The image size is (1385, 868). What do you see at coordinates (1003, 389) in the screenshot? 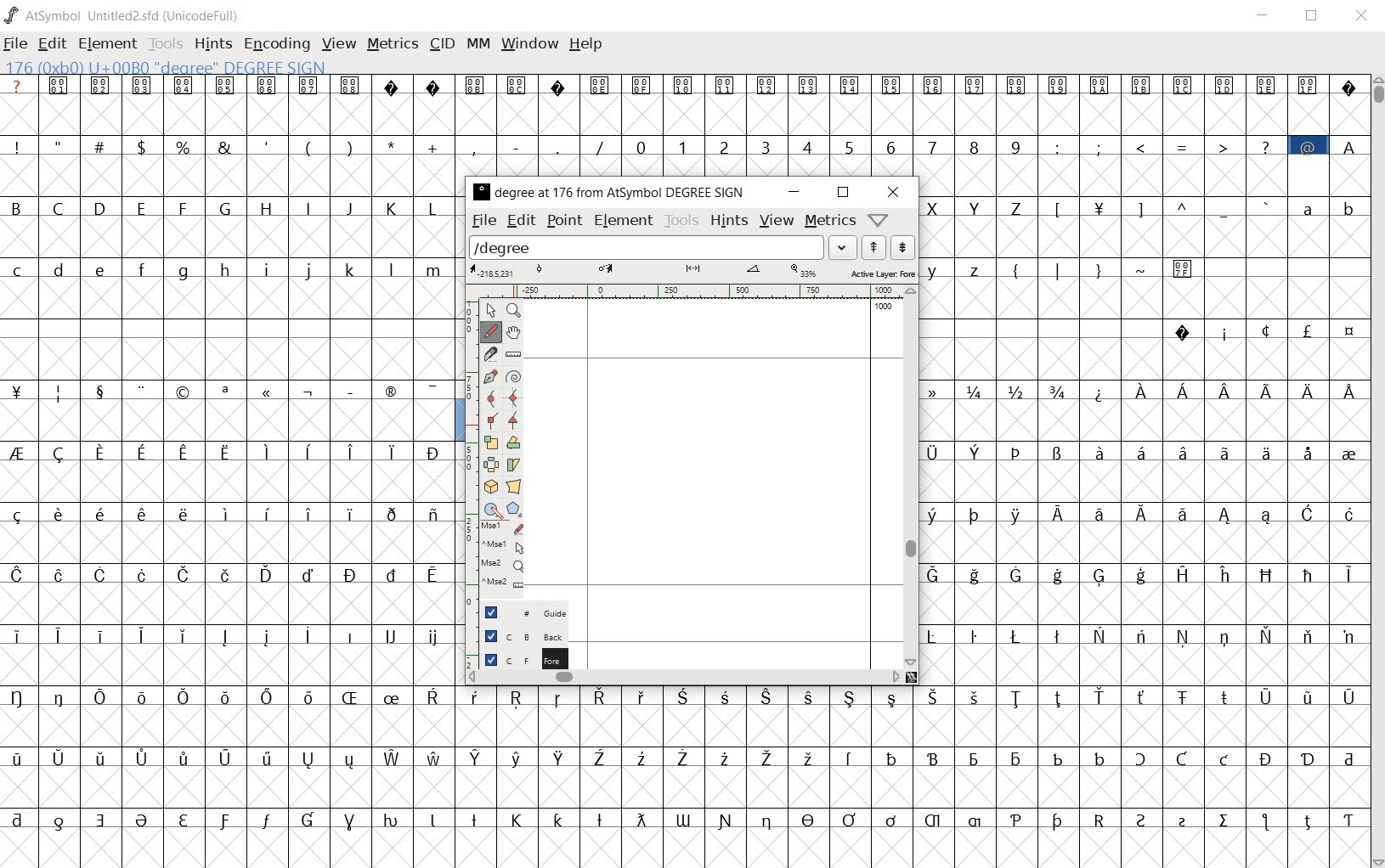
I see `fractions` at bounding box center [1003, 389].